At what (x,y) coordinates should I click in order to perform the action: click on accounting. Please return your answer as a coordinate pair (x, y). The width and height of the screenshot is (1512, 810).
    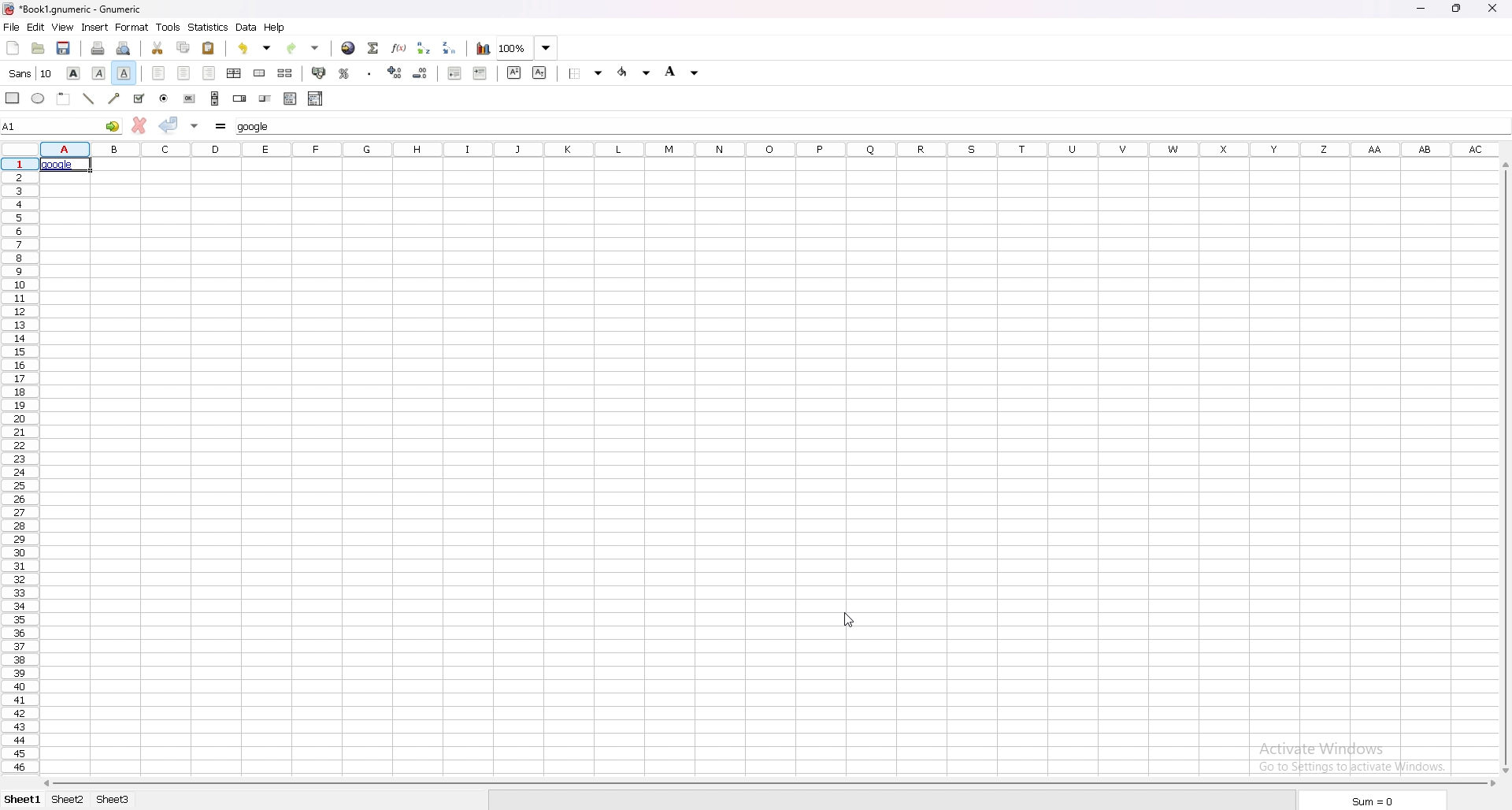
    Looking at the image, I should click on (320, 72).